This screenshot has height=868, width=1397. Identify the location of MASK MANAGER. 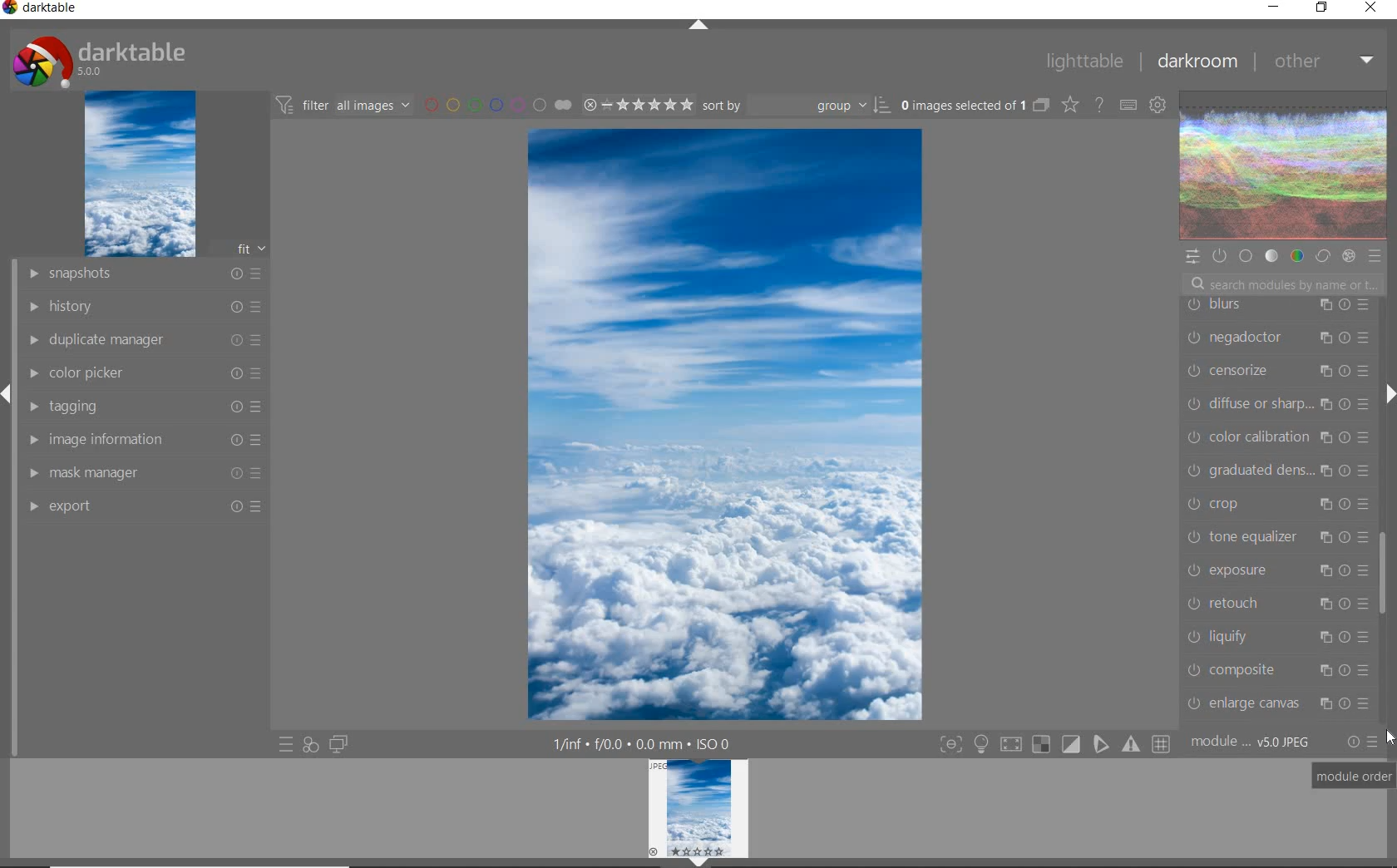
(147, 472).